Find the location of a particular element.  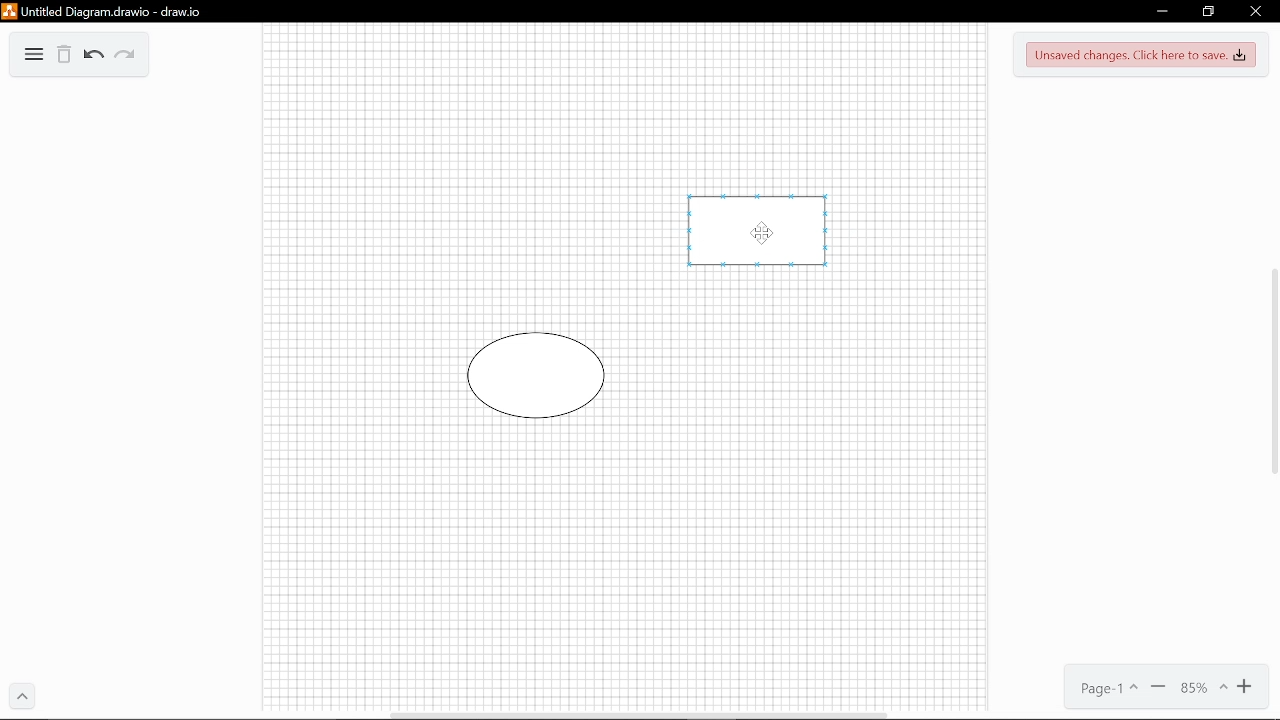

Delete is located at coordinates (64, 57).